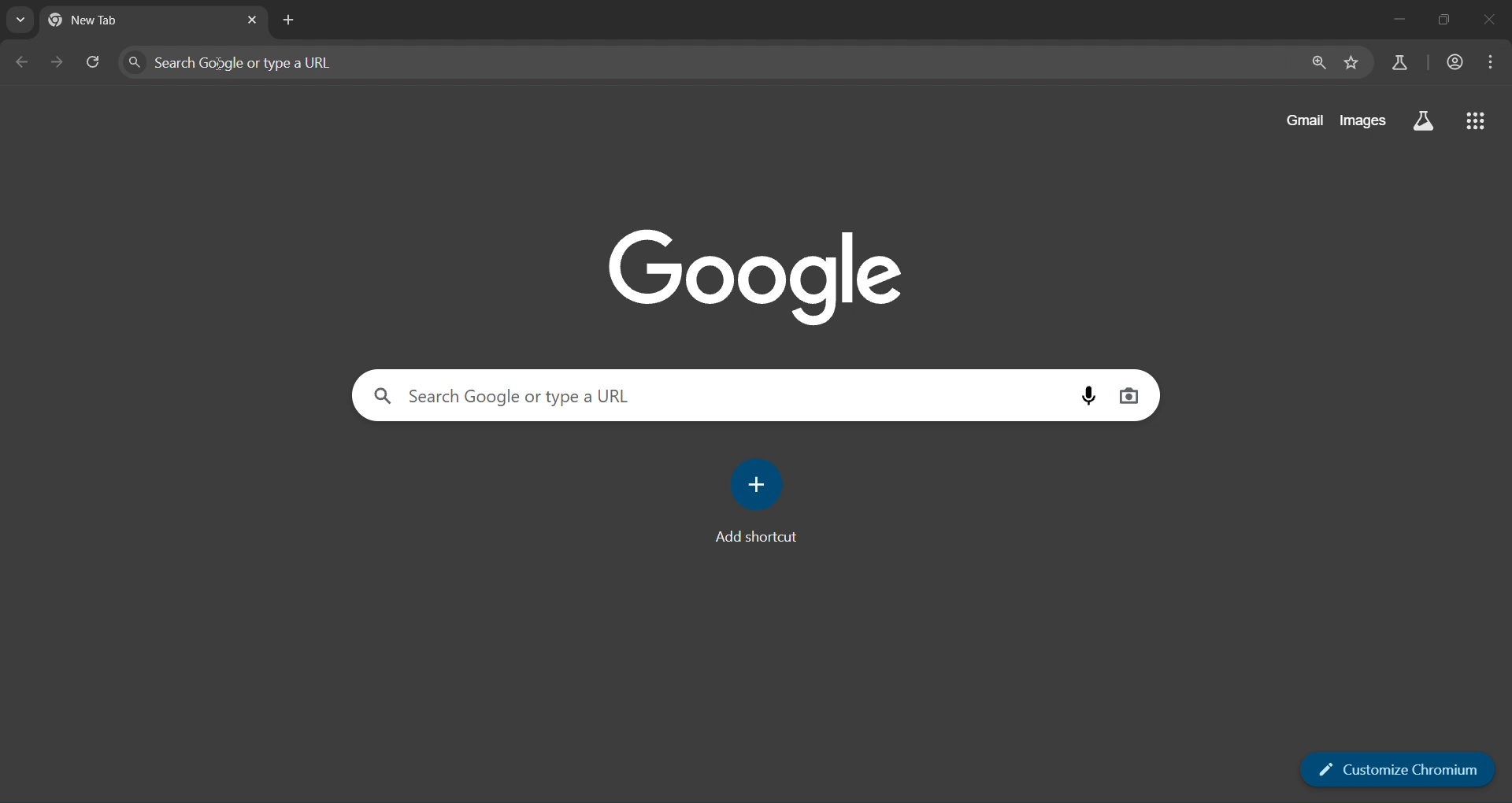 The image size is (1512, 803). What do you see at coordinates (1399, 20) in the screenshot?
I see `minimize` at bounding box center [1399, 20].